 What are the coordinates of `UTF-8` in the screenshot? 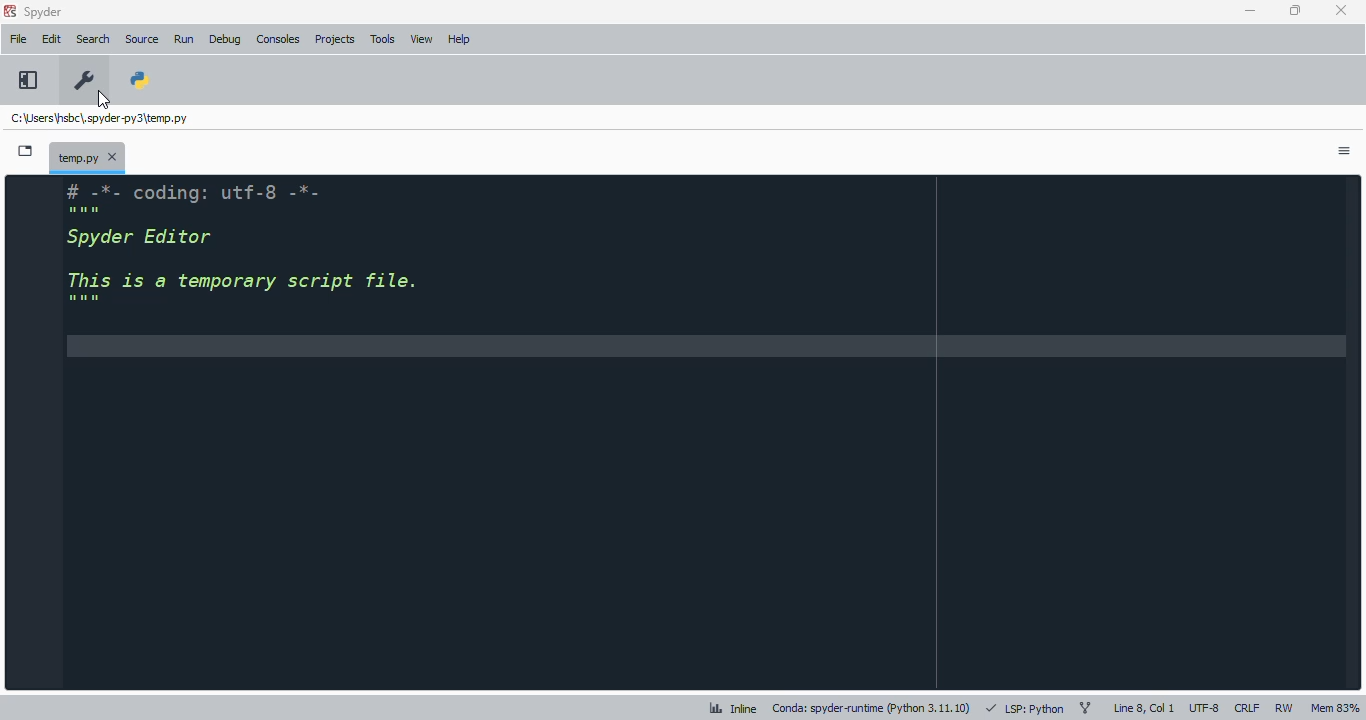 It's located at (1205, 708).